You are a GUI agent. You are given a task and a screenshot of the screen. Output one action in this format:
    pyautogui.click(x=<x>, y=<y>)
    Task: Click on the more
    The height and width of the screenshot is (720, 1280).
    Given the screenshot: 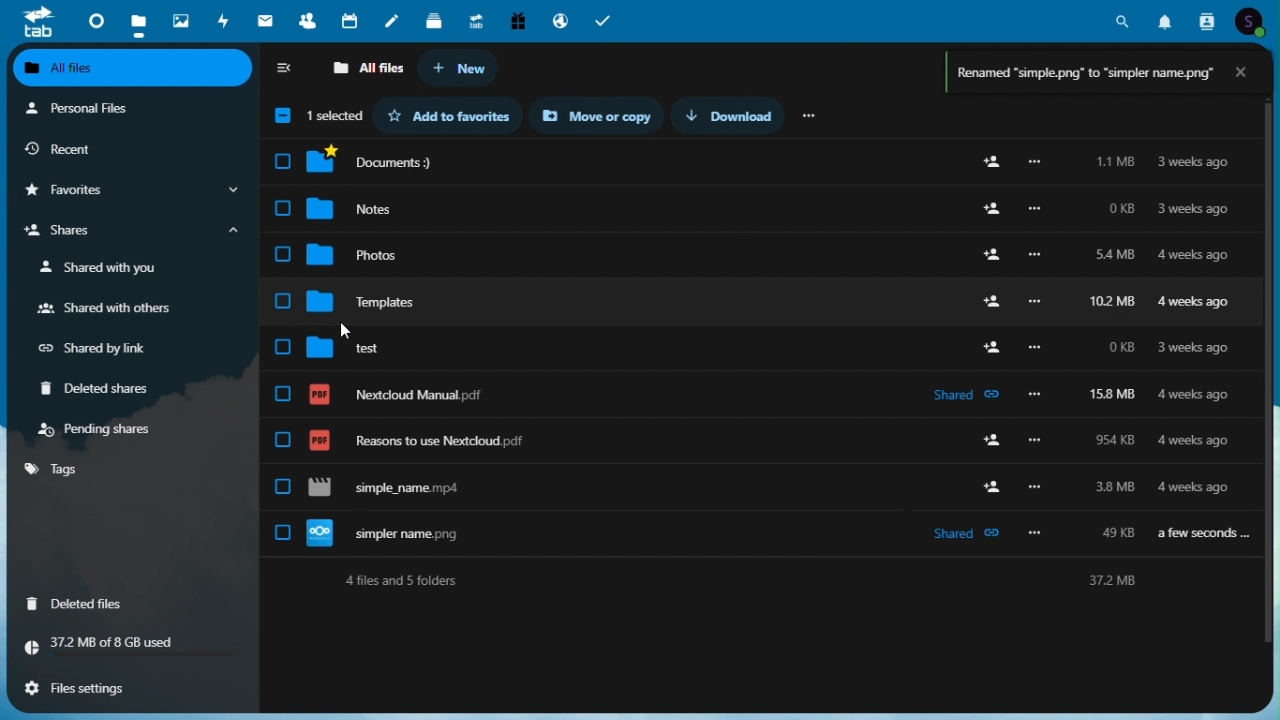 What is the action you would take?
    pyautogui.click(x=811, y=114)
    